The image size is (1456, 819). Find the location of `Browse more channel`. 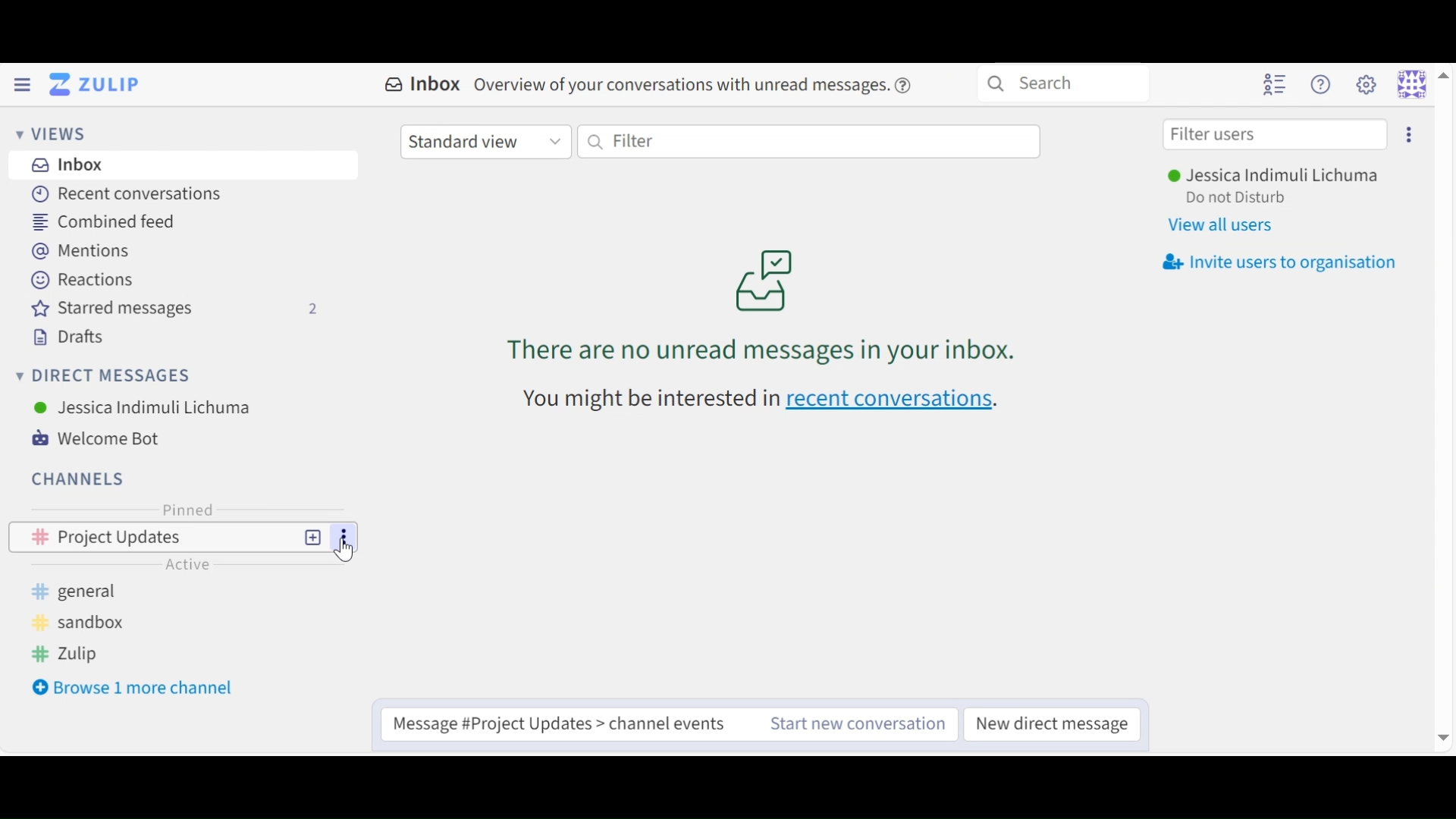

Browse more channel is located at coordinates (139, 689).